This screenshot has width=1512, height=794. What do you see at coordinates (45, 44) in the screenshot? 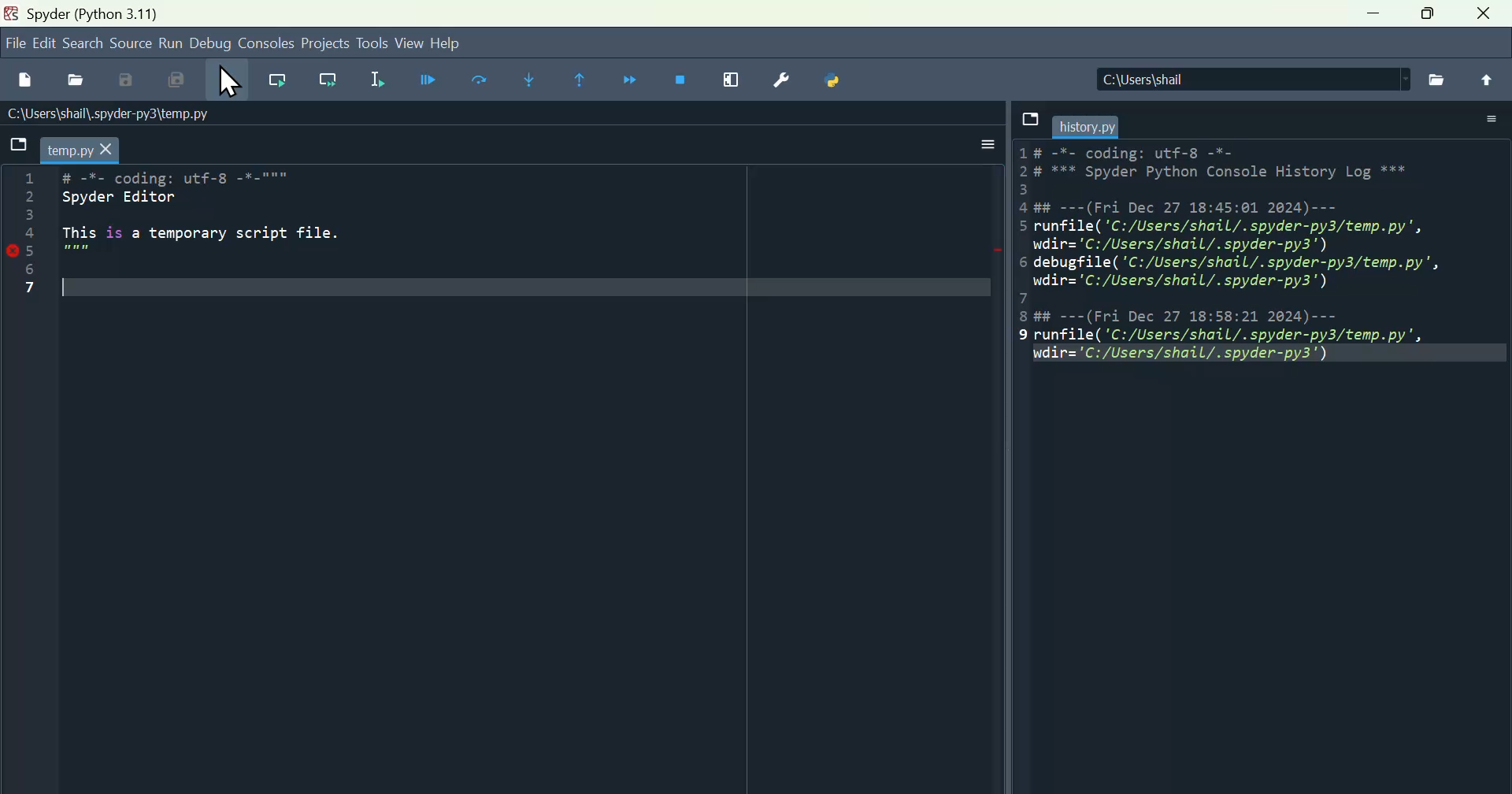
I see `Edit` at bounding box center [45, 44].